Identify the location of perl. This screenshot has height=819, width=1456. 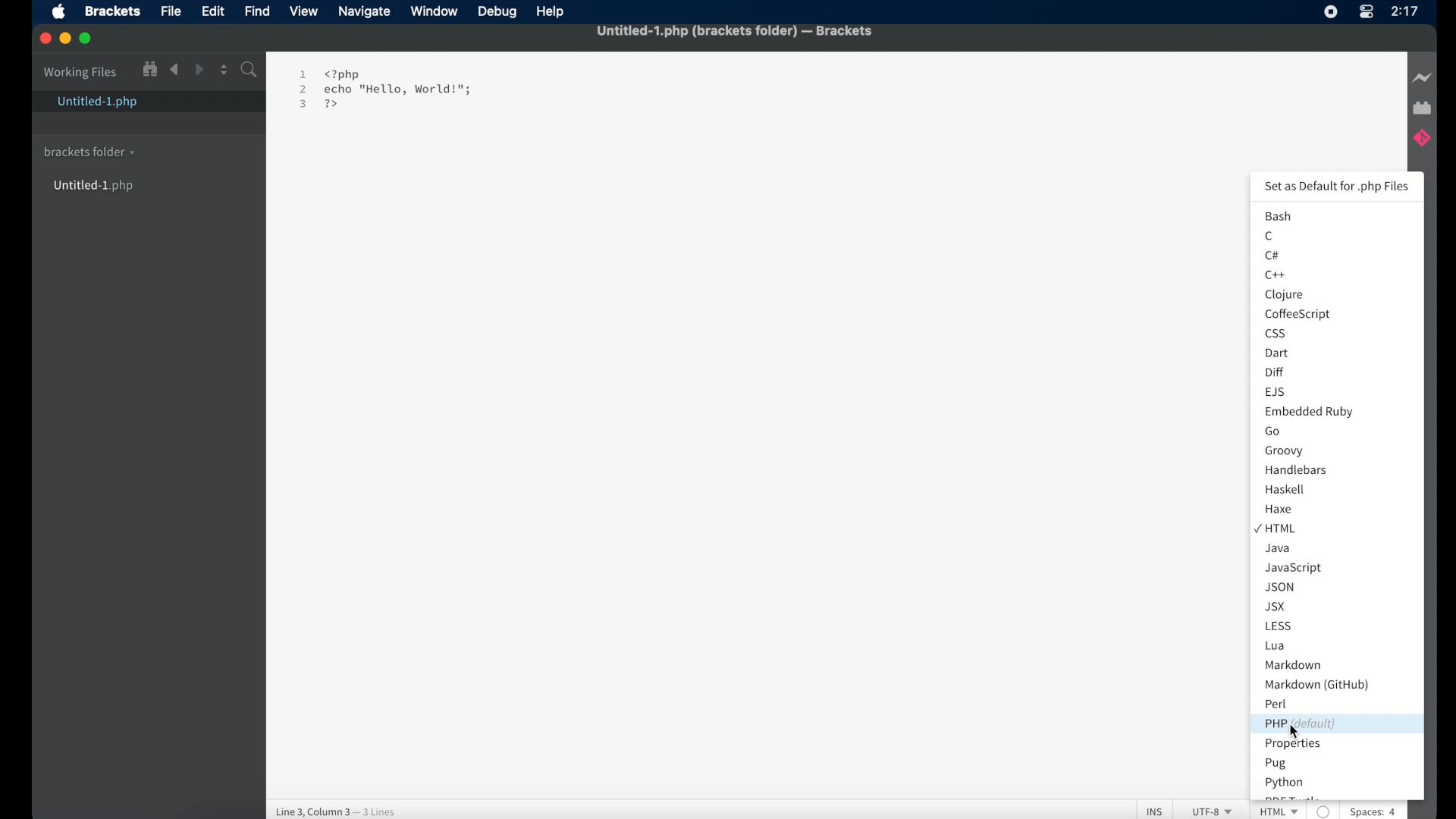
(1276, 704).